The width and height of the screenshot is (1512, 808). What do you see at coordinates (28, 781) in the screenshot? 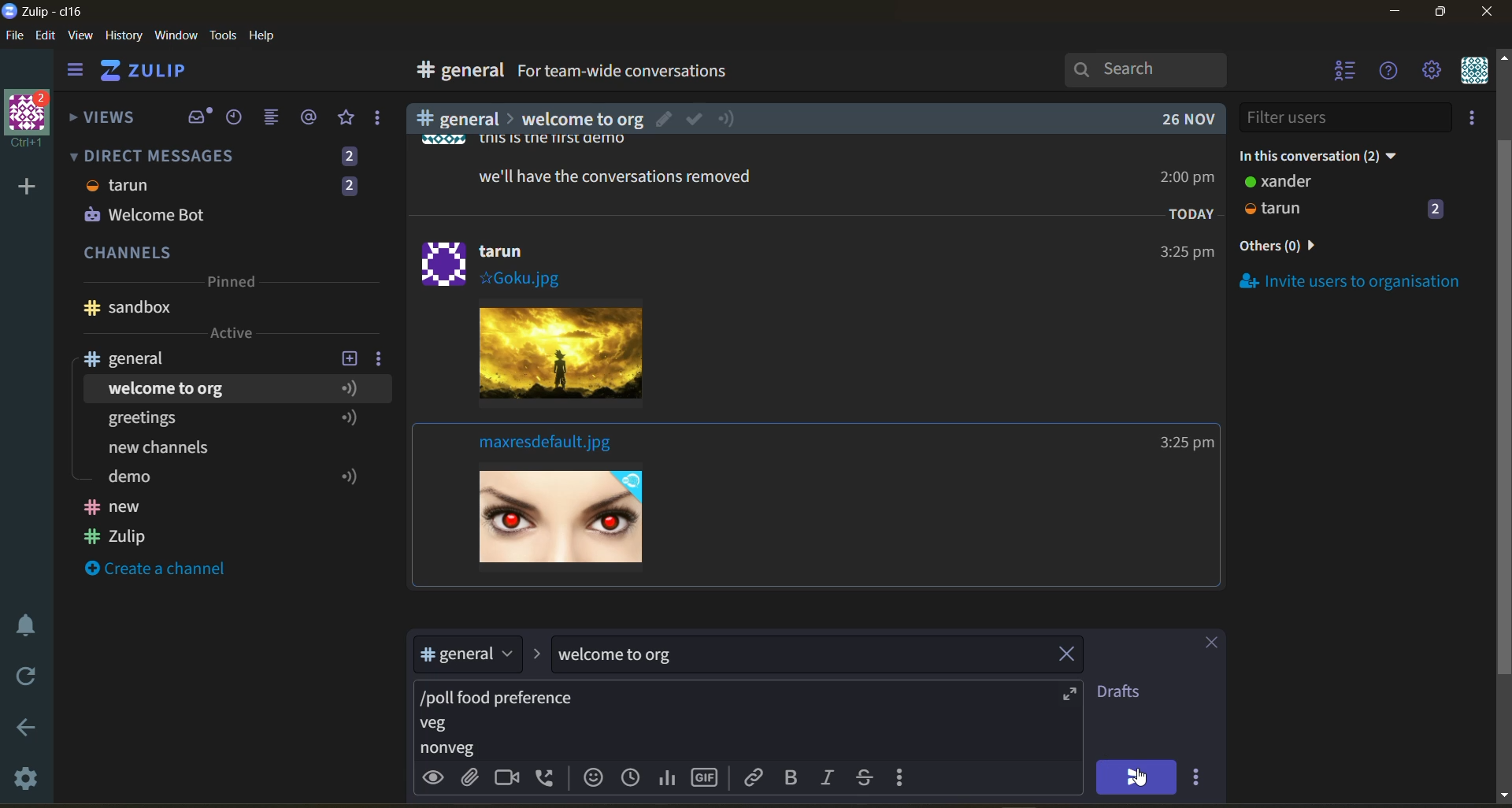
I see `settings` at bounding box center [28, 781].